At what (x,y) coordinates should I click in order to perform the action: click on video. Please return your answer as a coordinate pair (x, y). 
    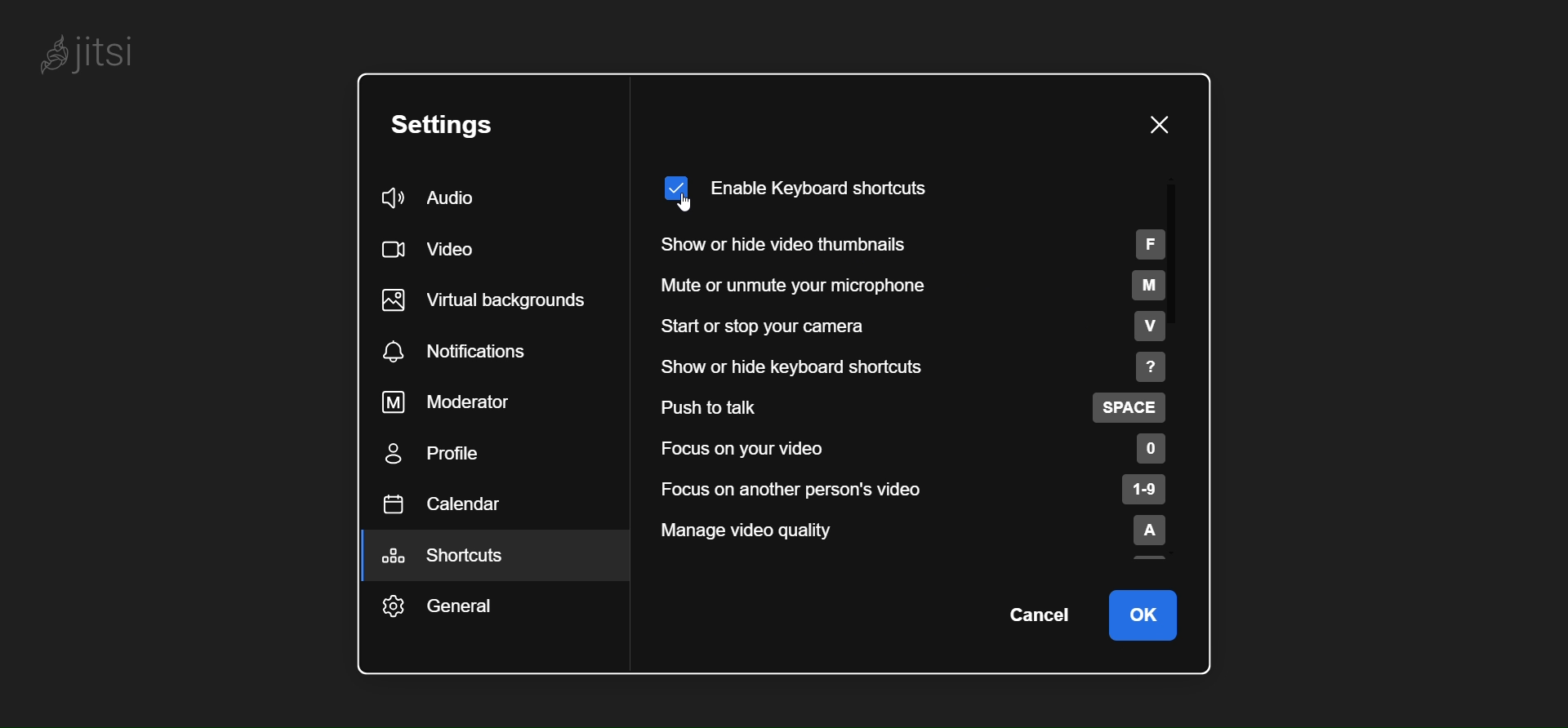
    Looking at the image, I should click on (442, 248).